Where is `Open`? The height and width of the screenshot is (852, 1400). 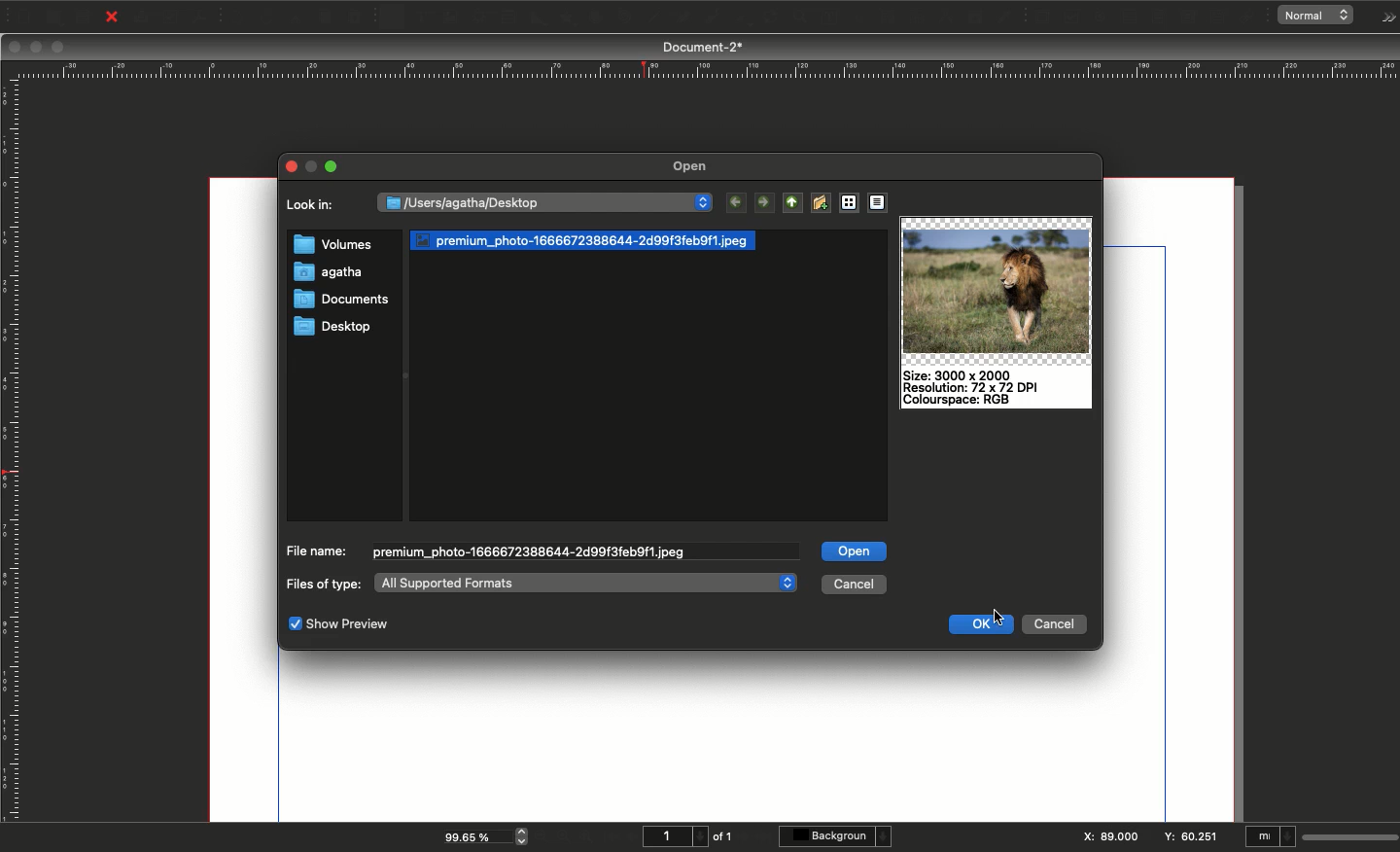 Open is located at coordinates (52, 18).